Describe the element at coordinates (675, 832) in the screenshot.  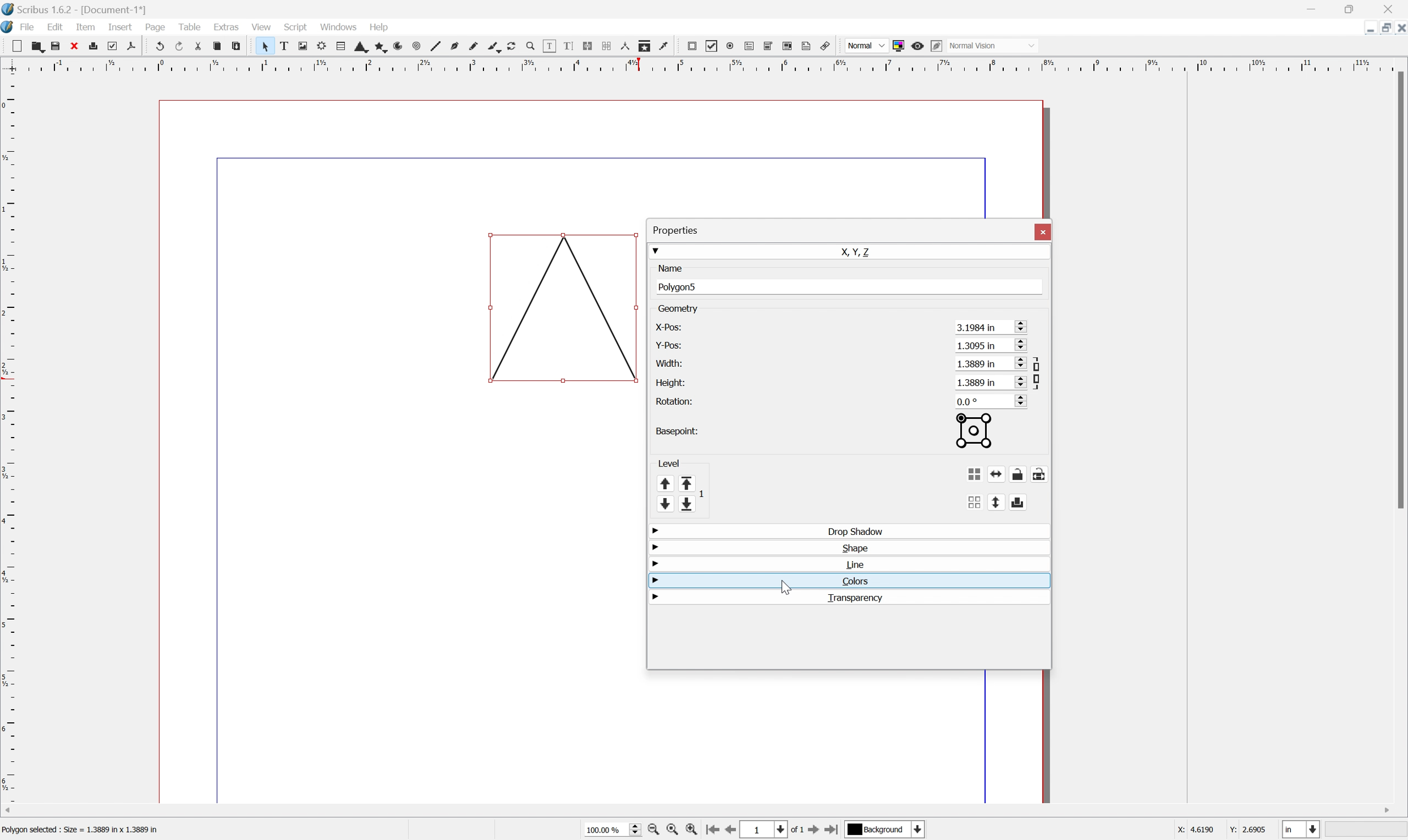
I see `Zoom to 100%` at that location.